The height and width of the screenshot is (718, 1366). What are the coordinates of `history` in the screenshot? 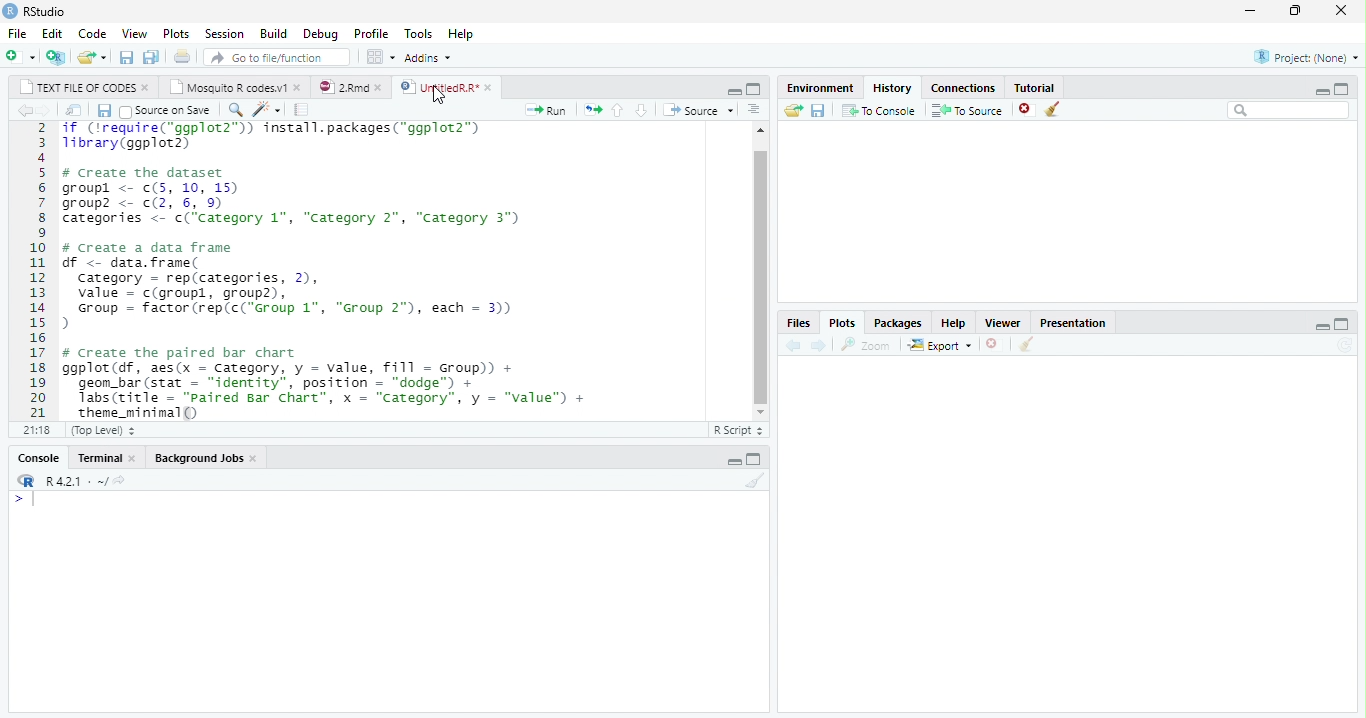 It's located at (891, 87).